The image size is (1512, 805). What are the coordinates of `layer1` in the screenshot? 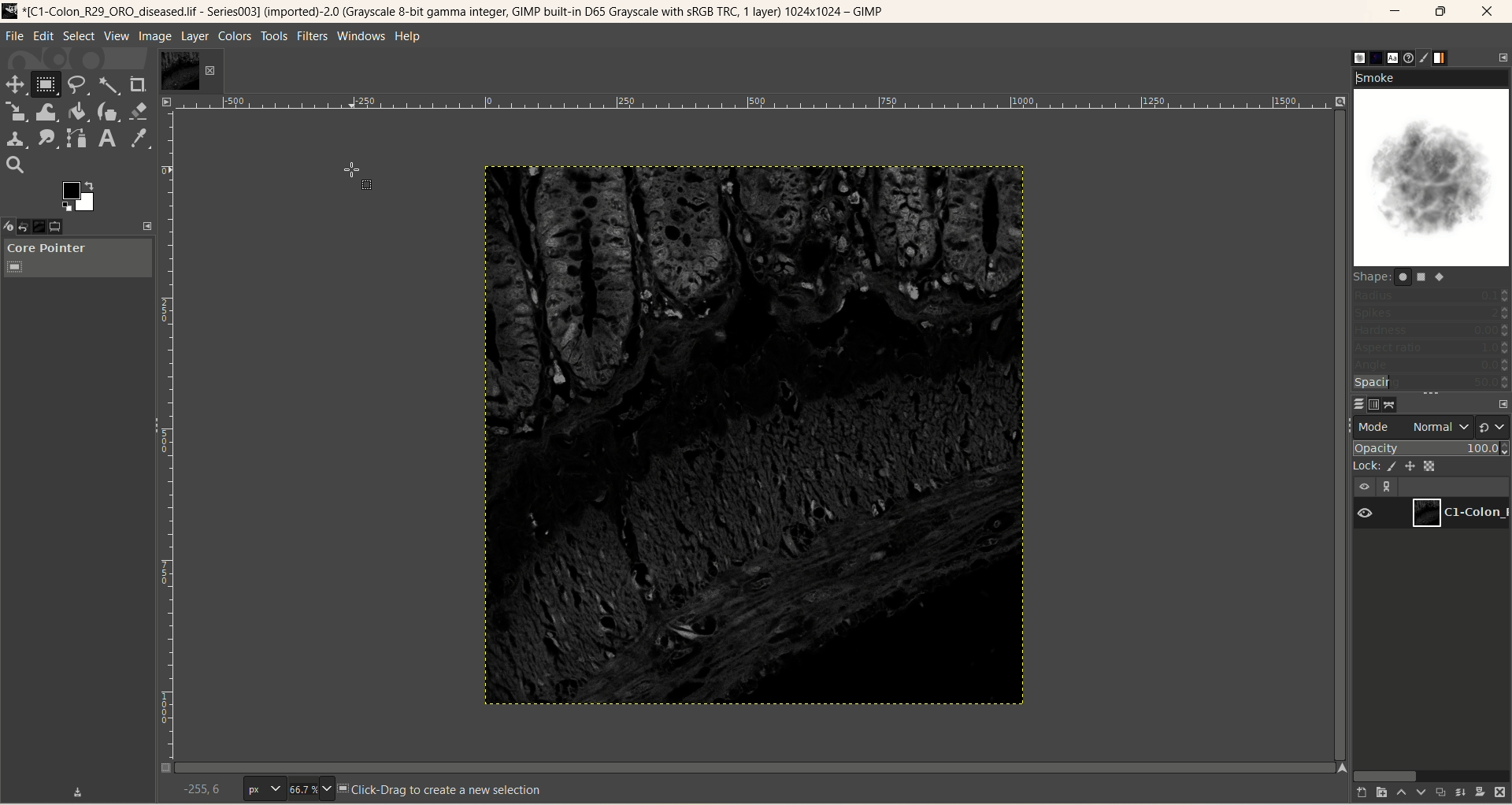 It's located at (1458, 512).